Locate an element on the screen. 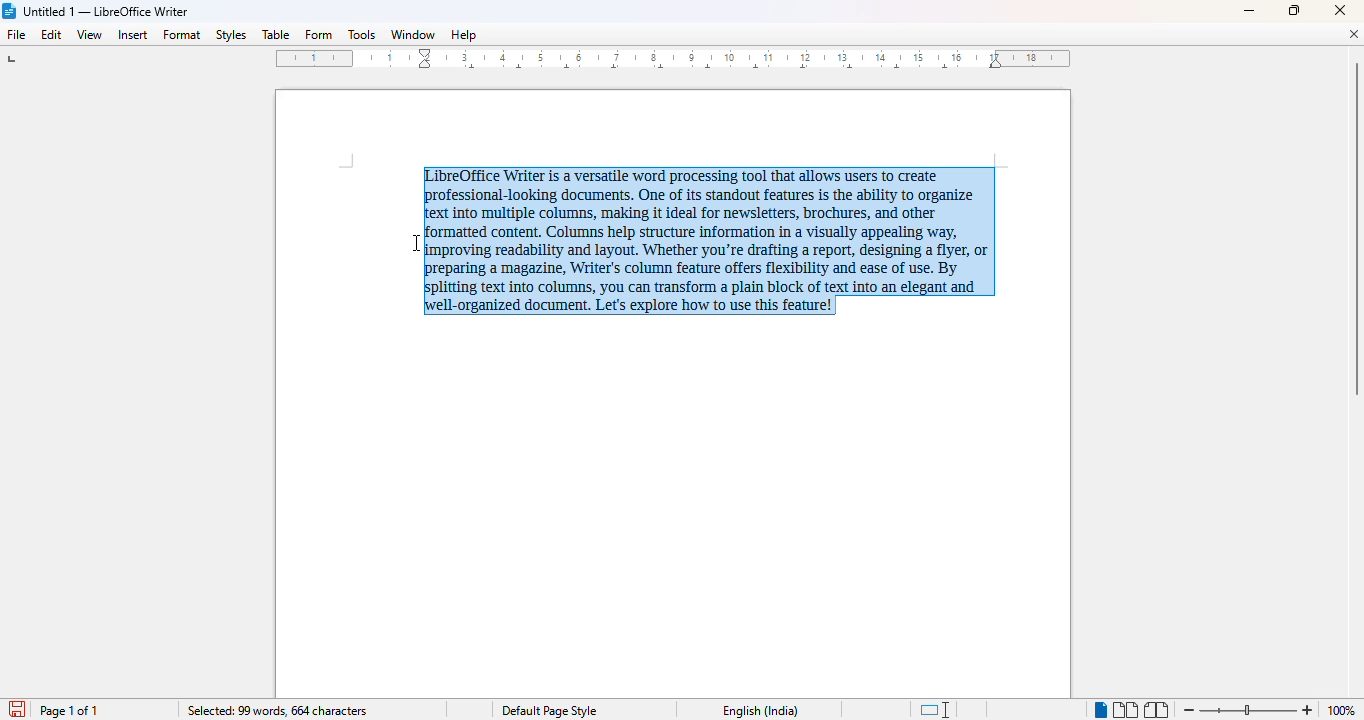  Untitled 1 -- LibreOffice Writer is located at coordinates (107, 12).